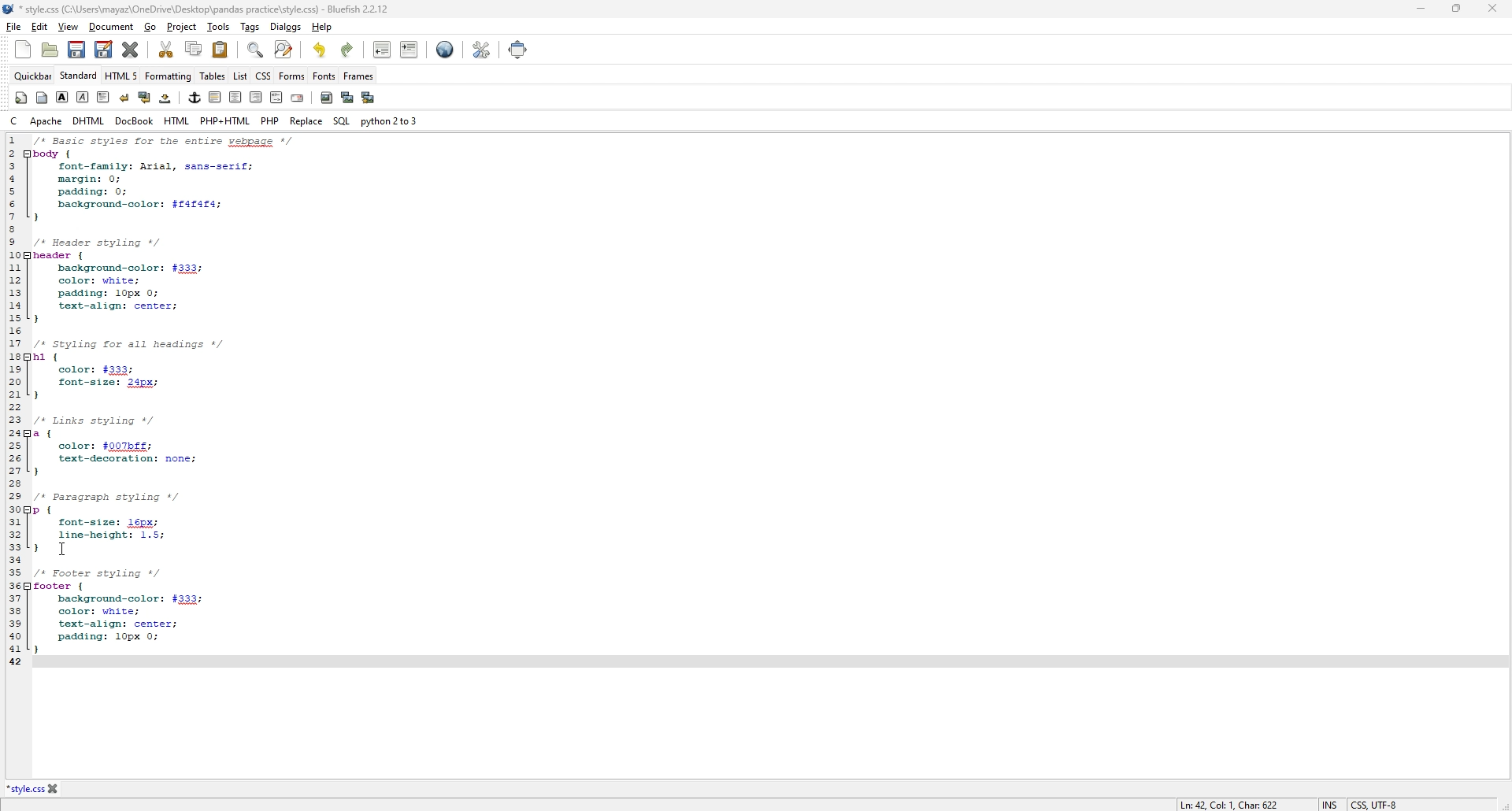 The image size is (1512, 811). Describe the element at coordinates (90, 121) in the screenshot. I see `dhtml` at that location.